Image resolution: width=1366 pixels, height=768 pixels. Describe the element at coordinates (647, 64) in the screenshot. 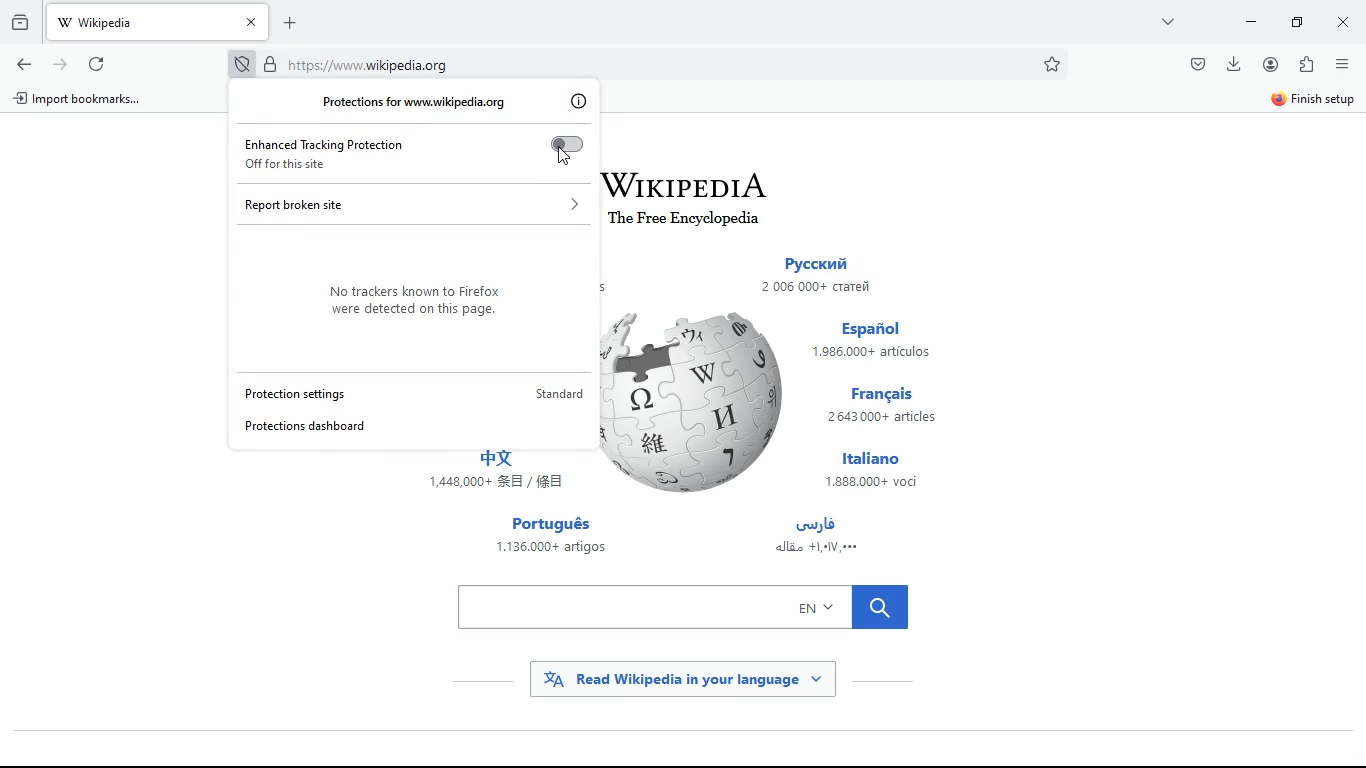

I see `Search bar` at that location.